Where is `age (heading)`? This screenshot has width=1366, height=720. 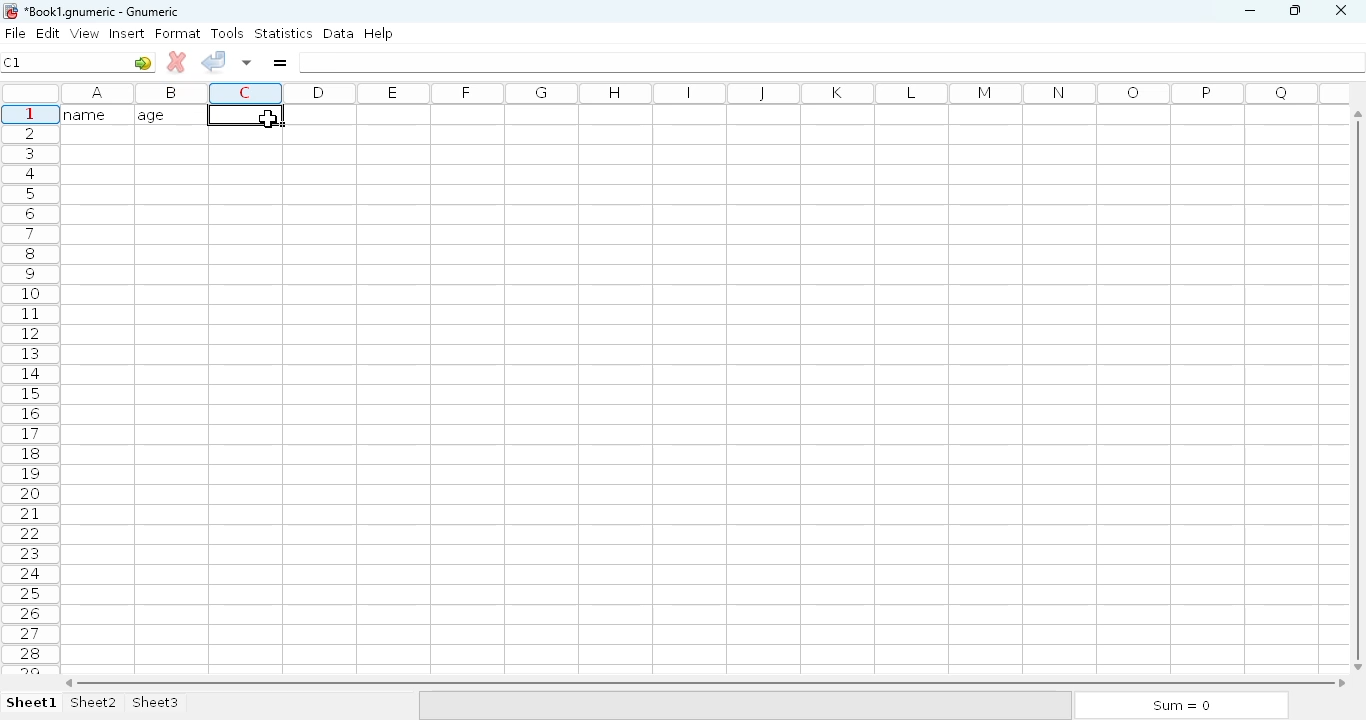 age (heading) is located at coordinates (165, 115).